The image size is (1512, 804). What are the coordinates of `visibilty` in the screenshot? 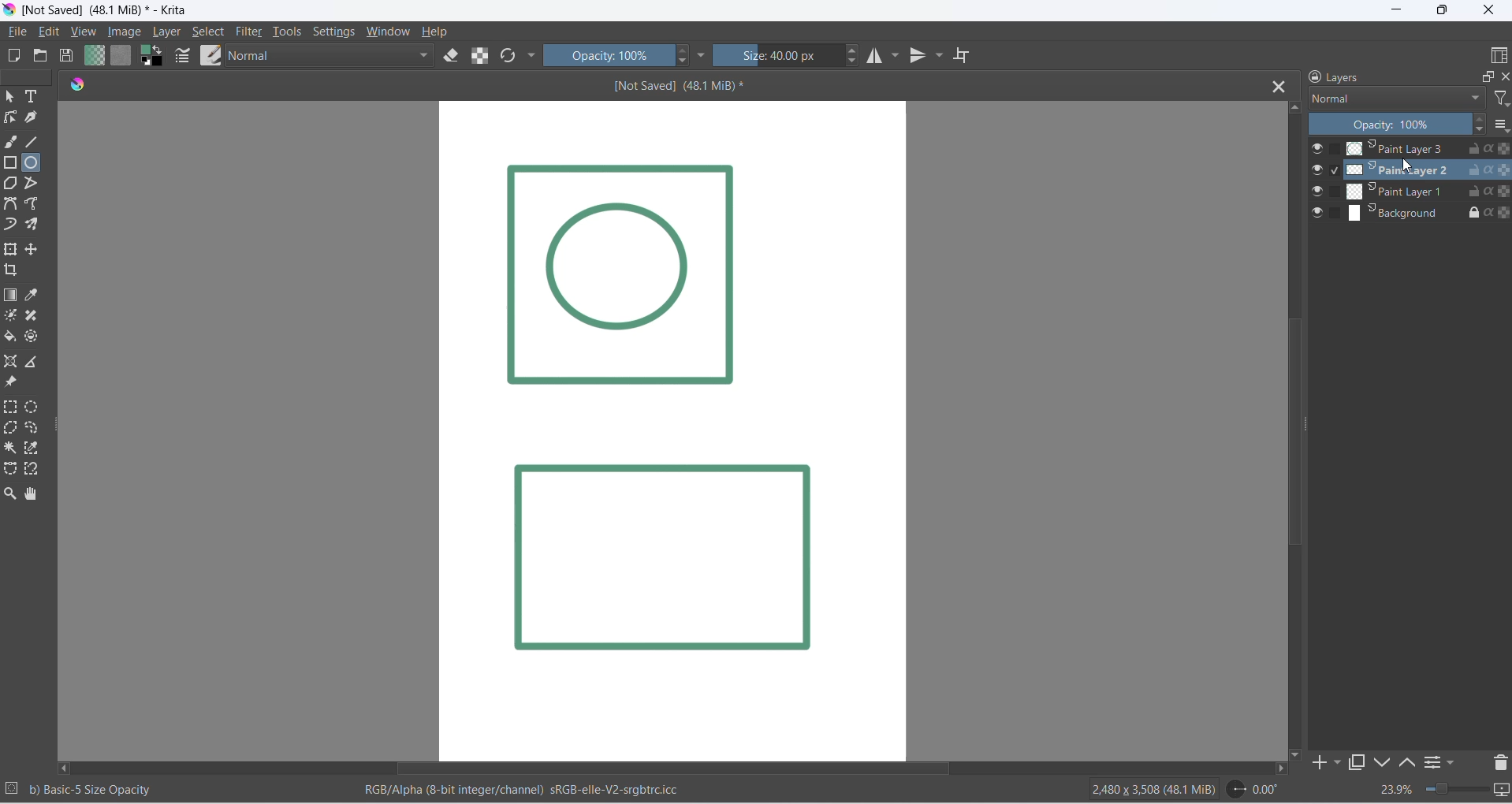 It's located at (1317, 213).